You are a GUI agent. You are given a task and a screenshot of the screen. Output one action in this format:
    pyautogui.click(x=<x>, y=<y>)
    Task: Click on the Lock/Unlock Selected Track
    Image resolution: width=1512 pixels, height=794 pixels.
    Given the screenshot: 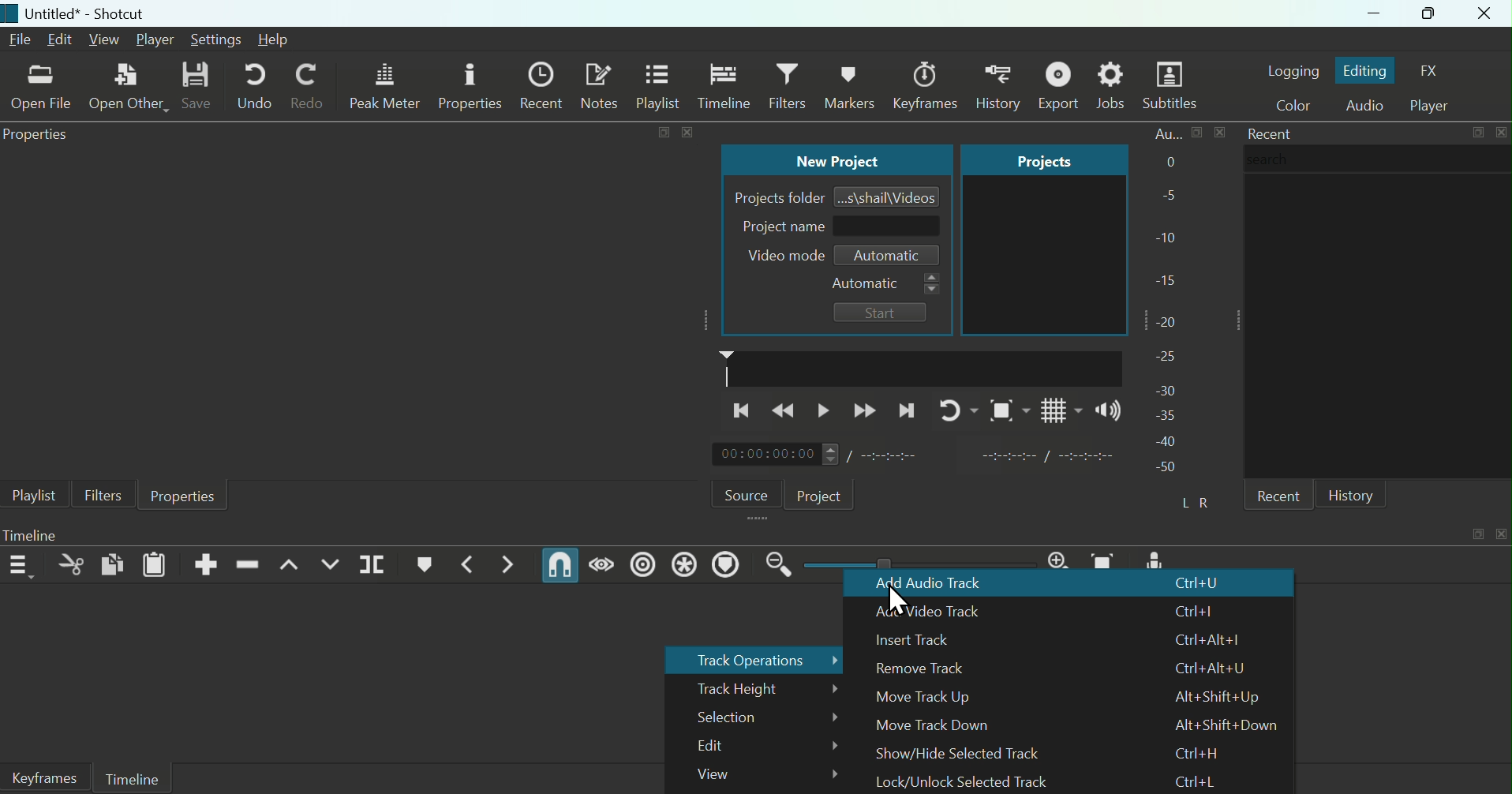 What is the action you would take?
    pyautogui.click(x=979, y=781)
    